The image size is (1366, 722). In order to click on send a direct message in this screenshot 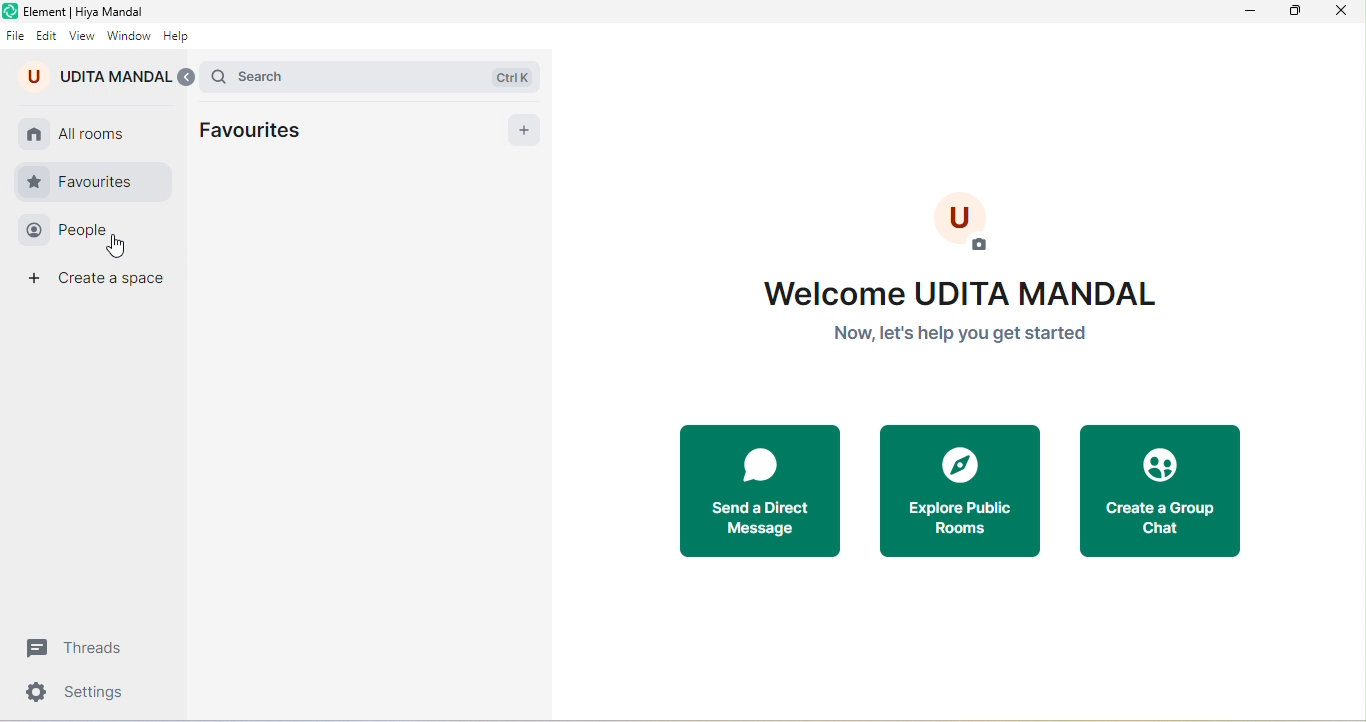, I will do `click(759, 491)`.